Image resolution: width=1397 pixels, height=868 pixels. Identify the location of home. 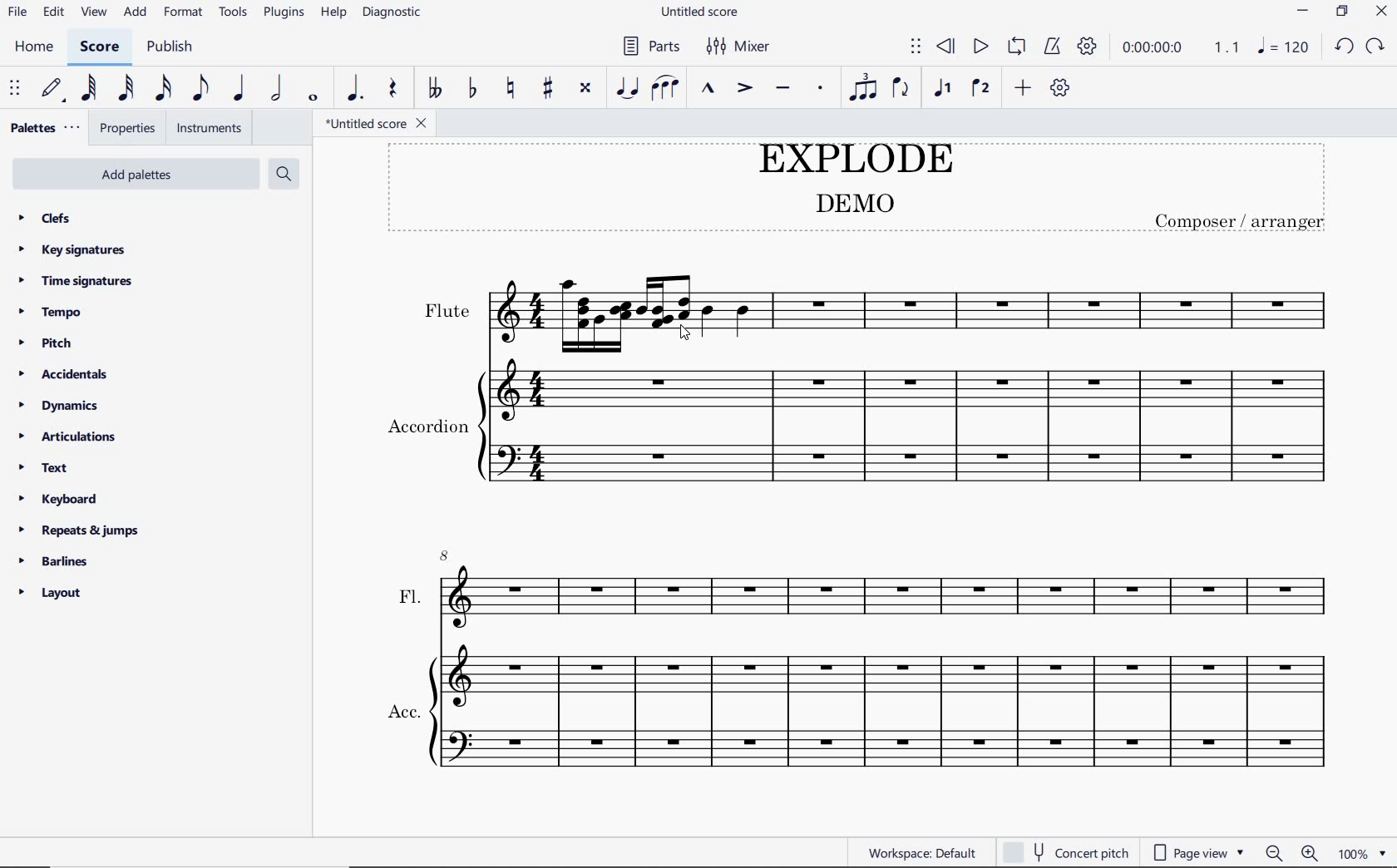
(32, 47).